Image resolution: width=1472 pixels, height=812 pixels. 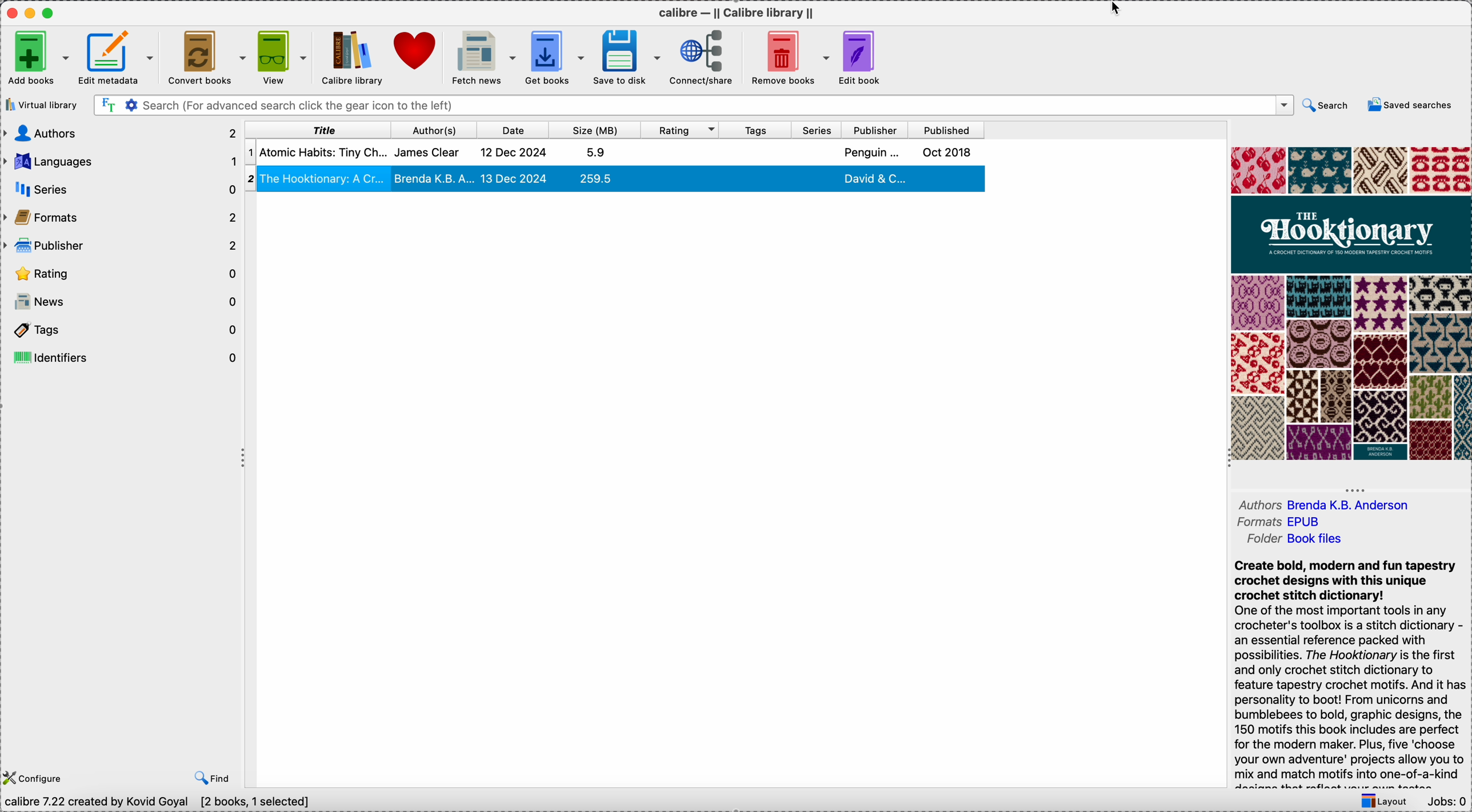 What do you see at coordinates (1351, 302) in the screenshot?
I see `book cover preview` at bounding box center [1351, 302].